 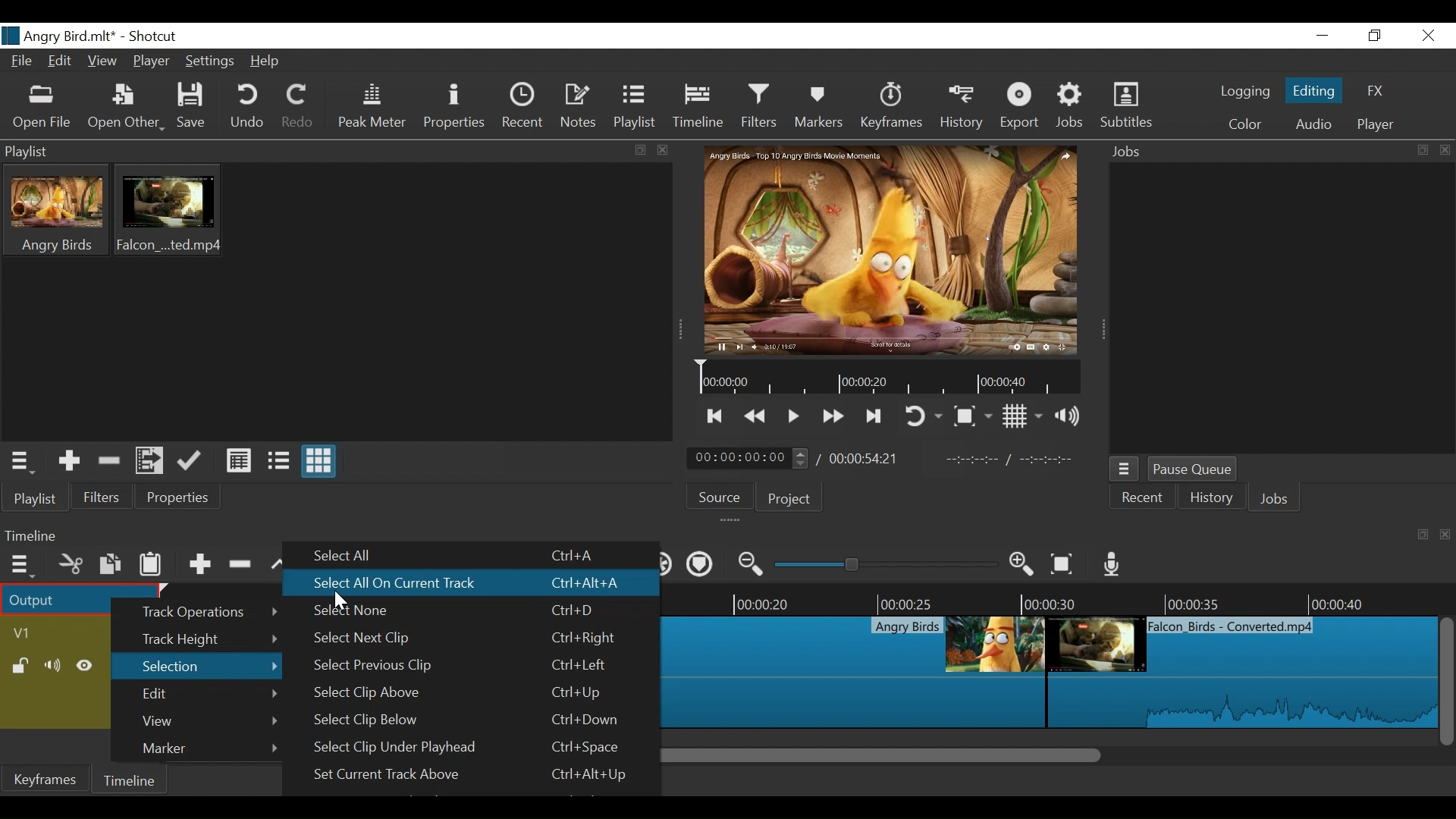 I want to click on Playlist, so click(x=635, y=107).